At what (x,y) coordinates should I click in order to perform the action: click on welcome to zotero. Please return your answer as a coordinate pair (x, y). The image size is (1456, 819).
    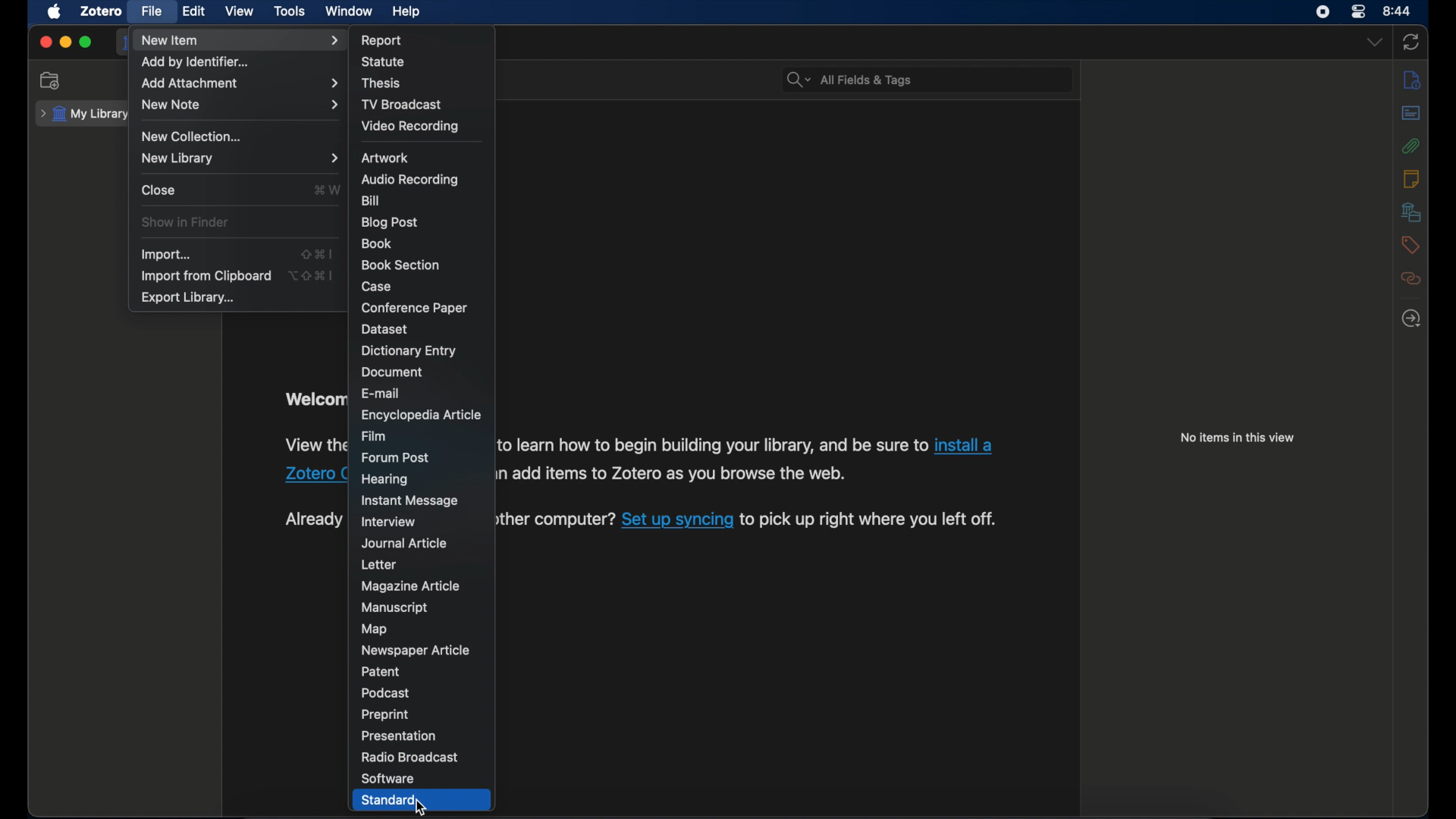
    Looking at the image, I should click on (314, 400).